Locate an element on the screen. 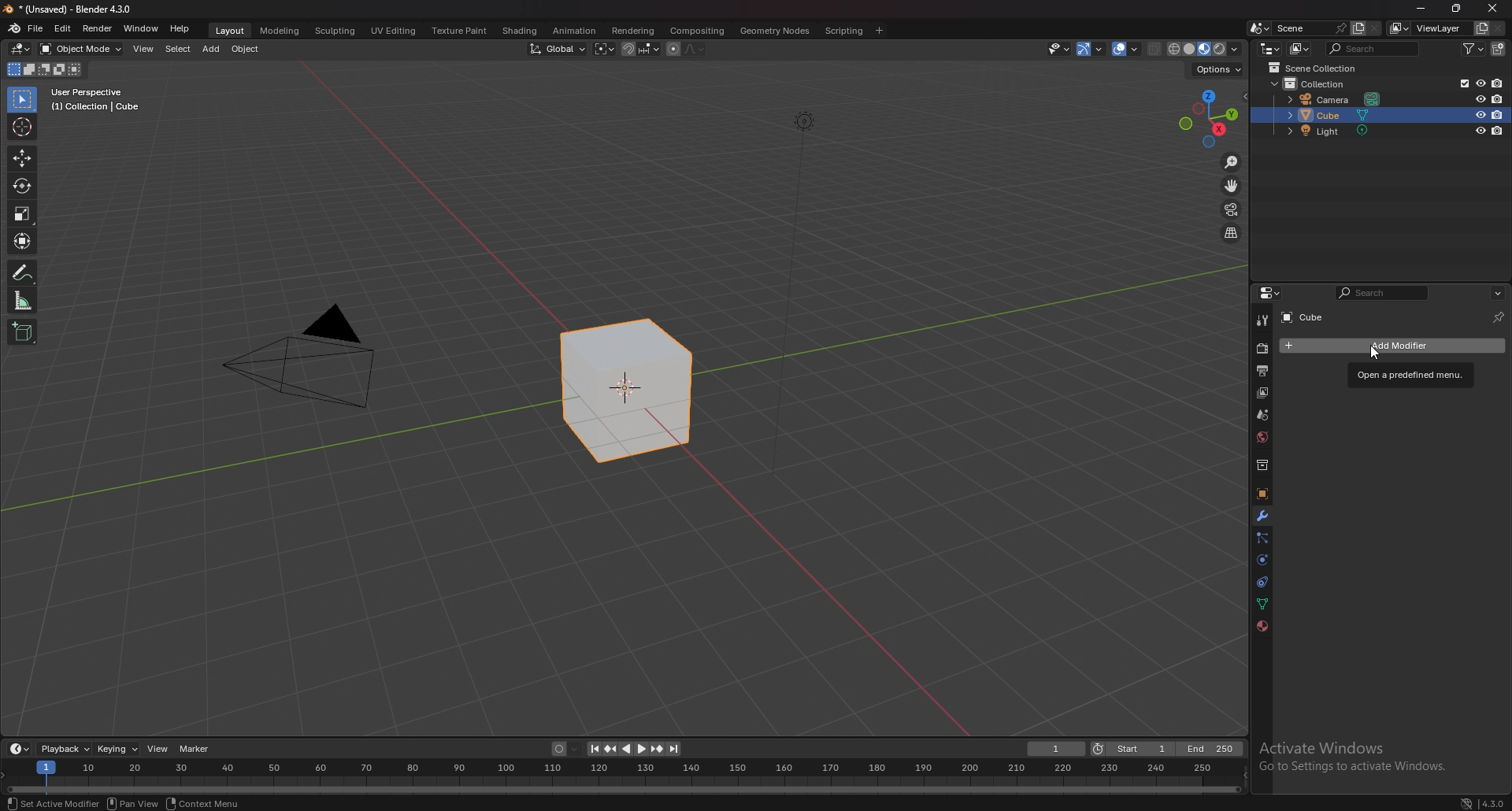  play animation is located at coordinates (635, 749).